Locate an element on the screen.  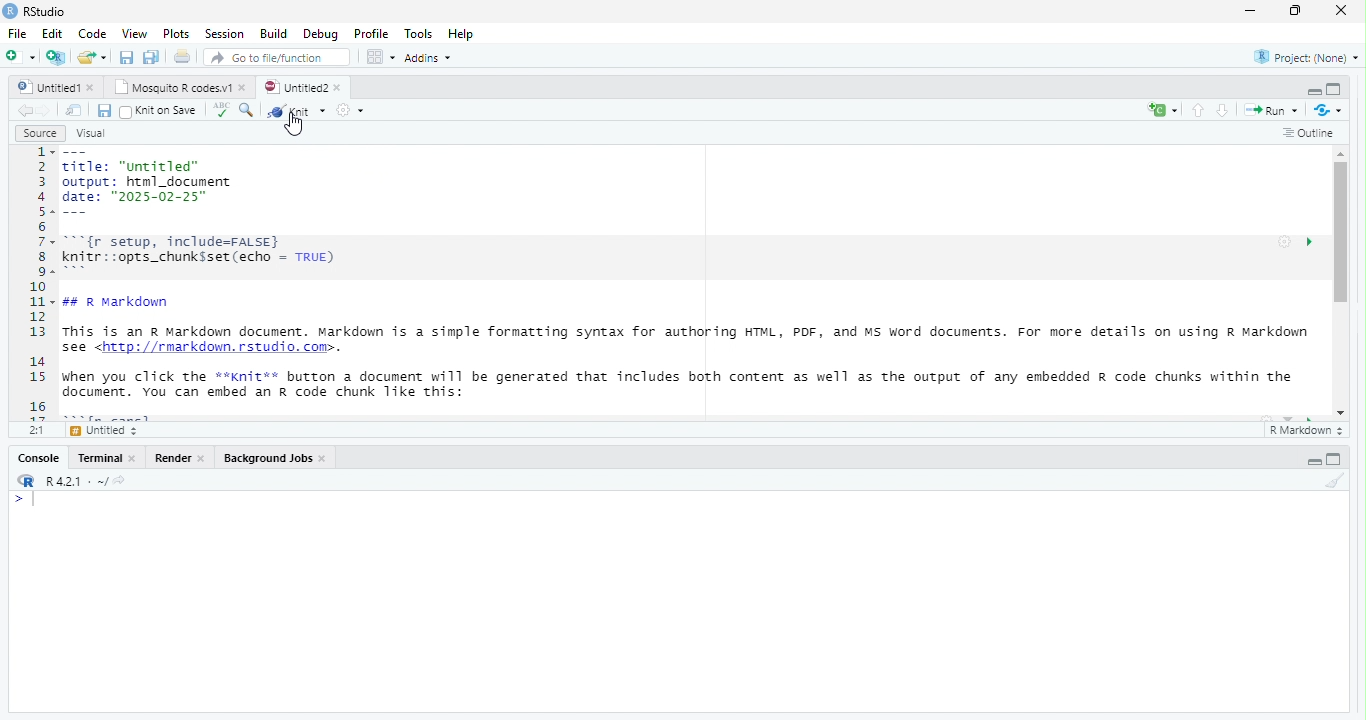
Terminal is located at coordinates (100, 458).